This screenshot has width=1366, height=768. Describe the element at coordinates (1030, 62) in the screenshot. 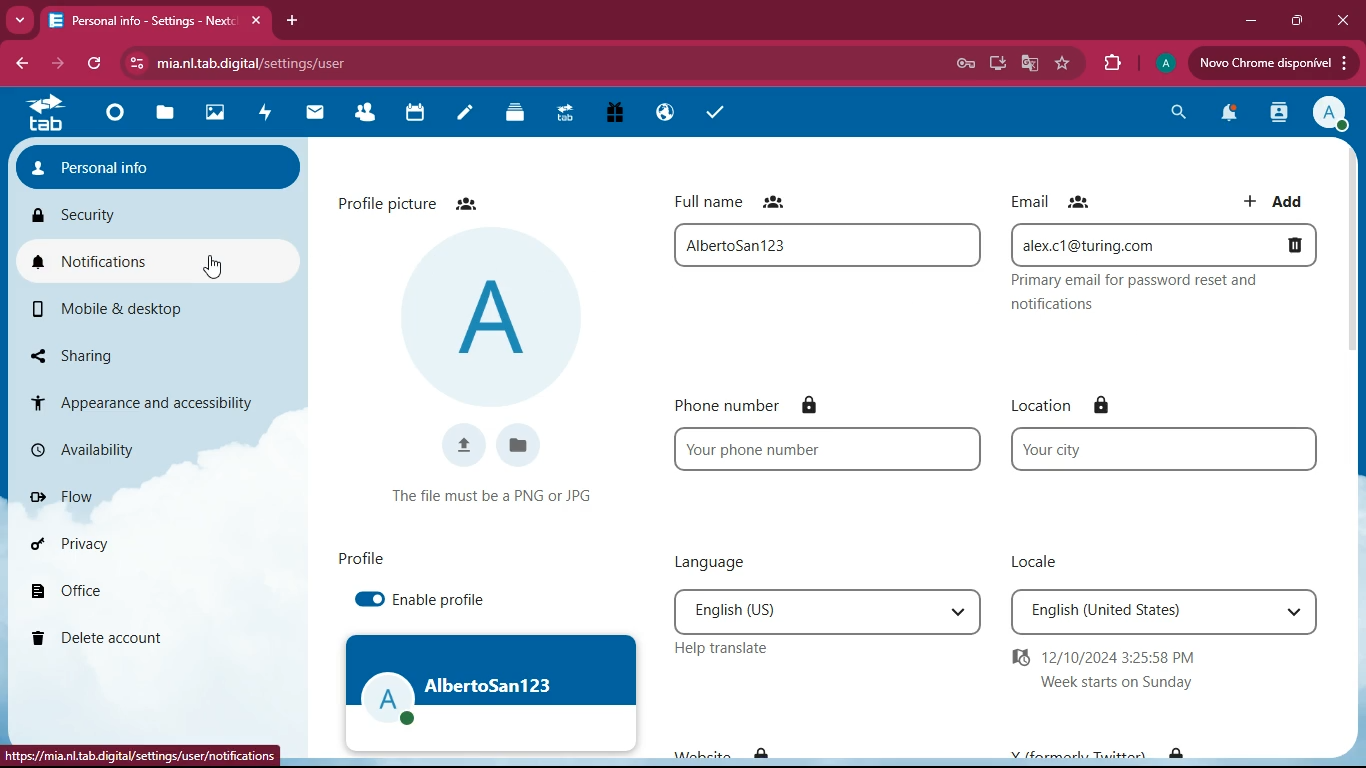

I see `google translate` at that location.